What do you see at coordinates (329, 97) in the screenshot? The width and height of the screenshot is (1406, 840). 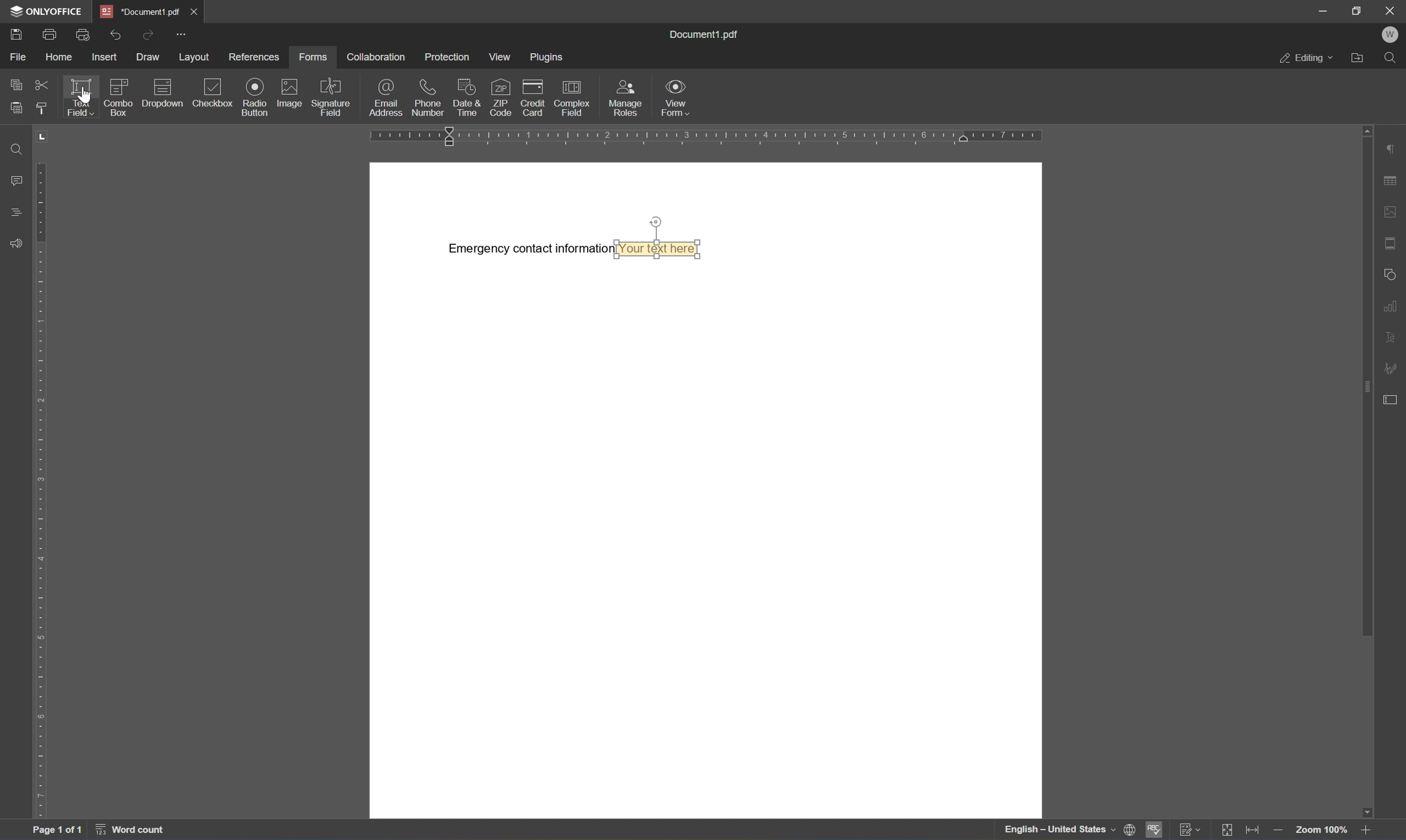 I see `signature field` at bounding box center [329, 97].